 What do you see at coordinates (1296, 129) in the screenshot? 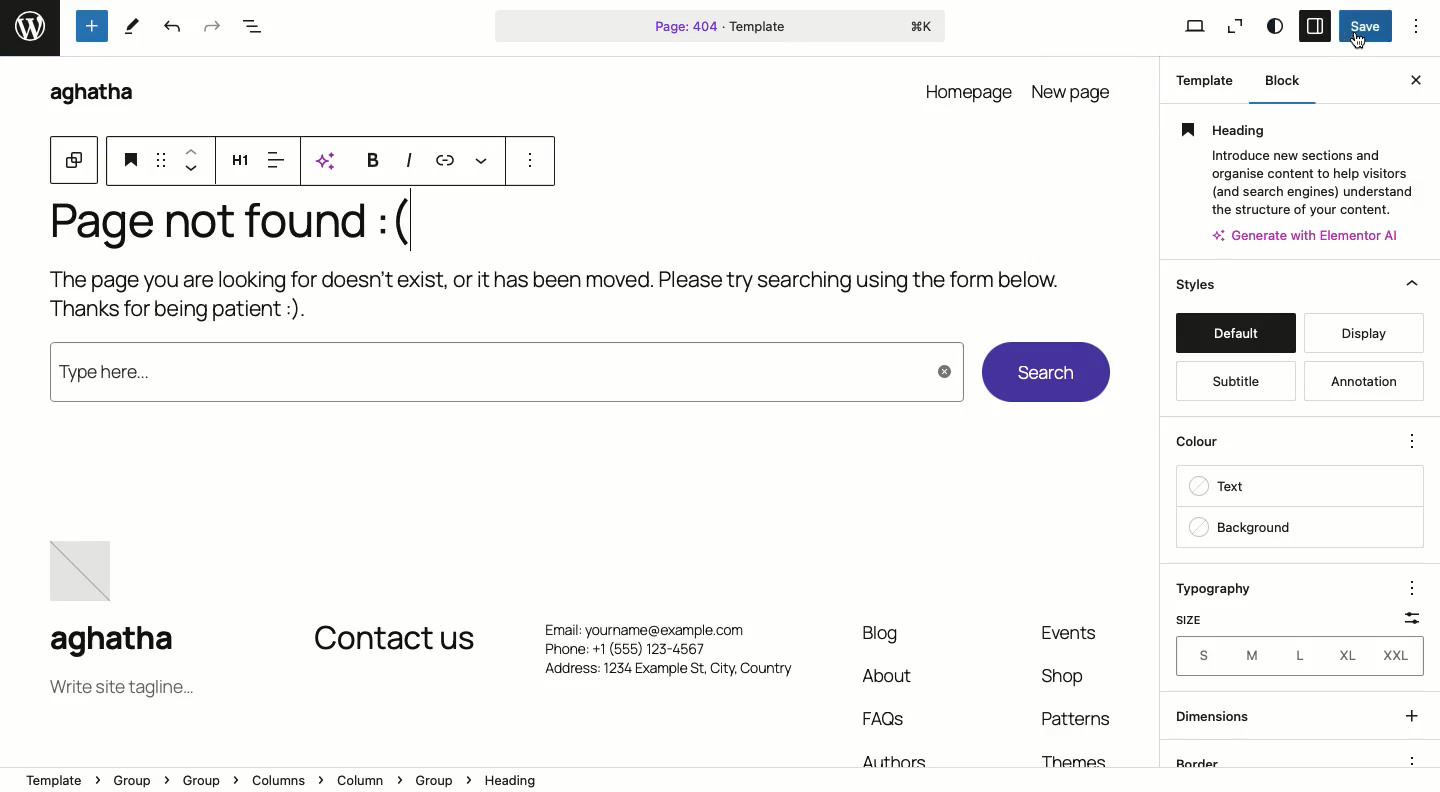
I see `Heading` at bounding box center [1296, 129].